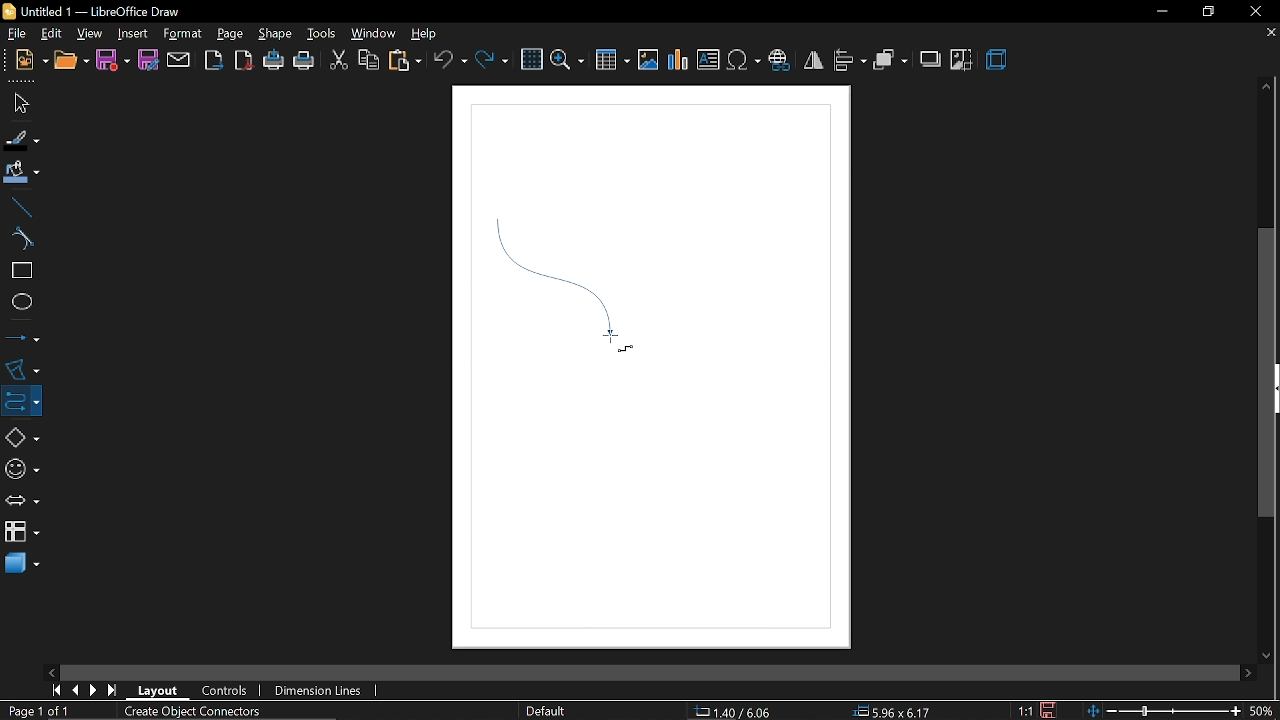 This screenshot has width=1280, height=720. Describe the element at coordinates (18, 103) in the screenshot. I see `select` at that location.